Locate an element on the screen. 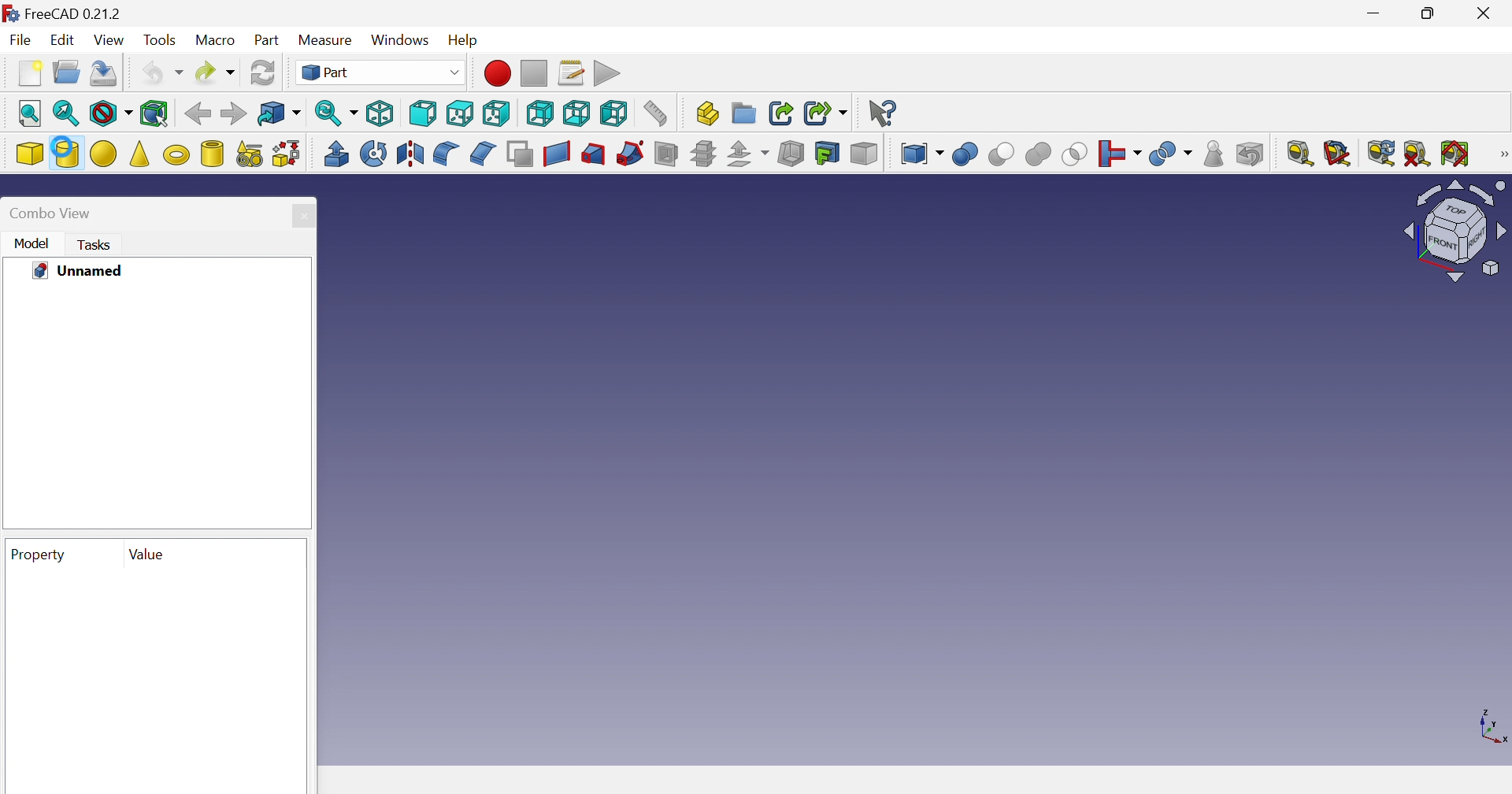 Image resolution: width=1512 pixels, height=794 pixels. Create ruled surface is located at coordinates (556, 154).